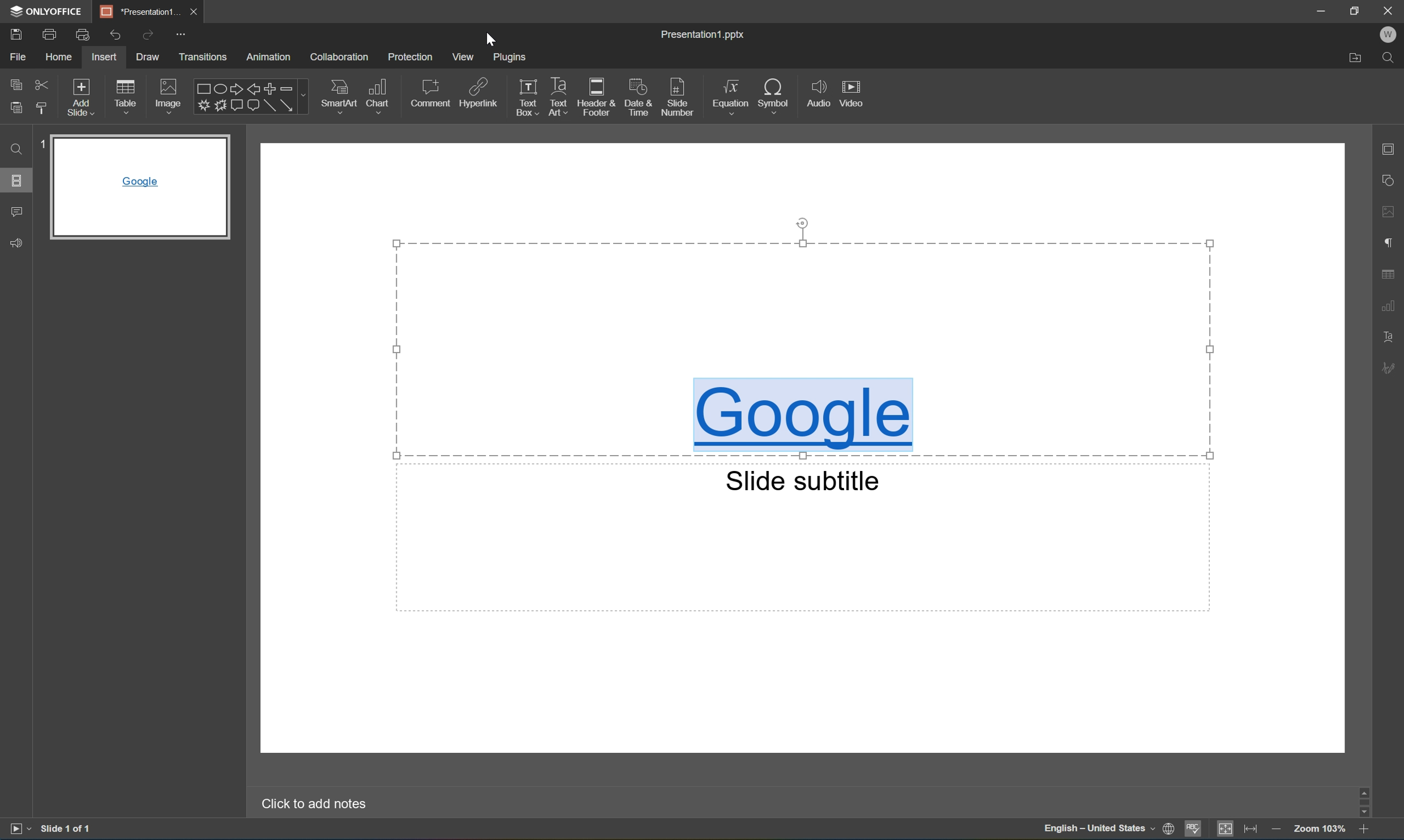 The width and height of the screenshot is (1404, 840). I want to click on Zoom 103%, so click(1321, 828).